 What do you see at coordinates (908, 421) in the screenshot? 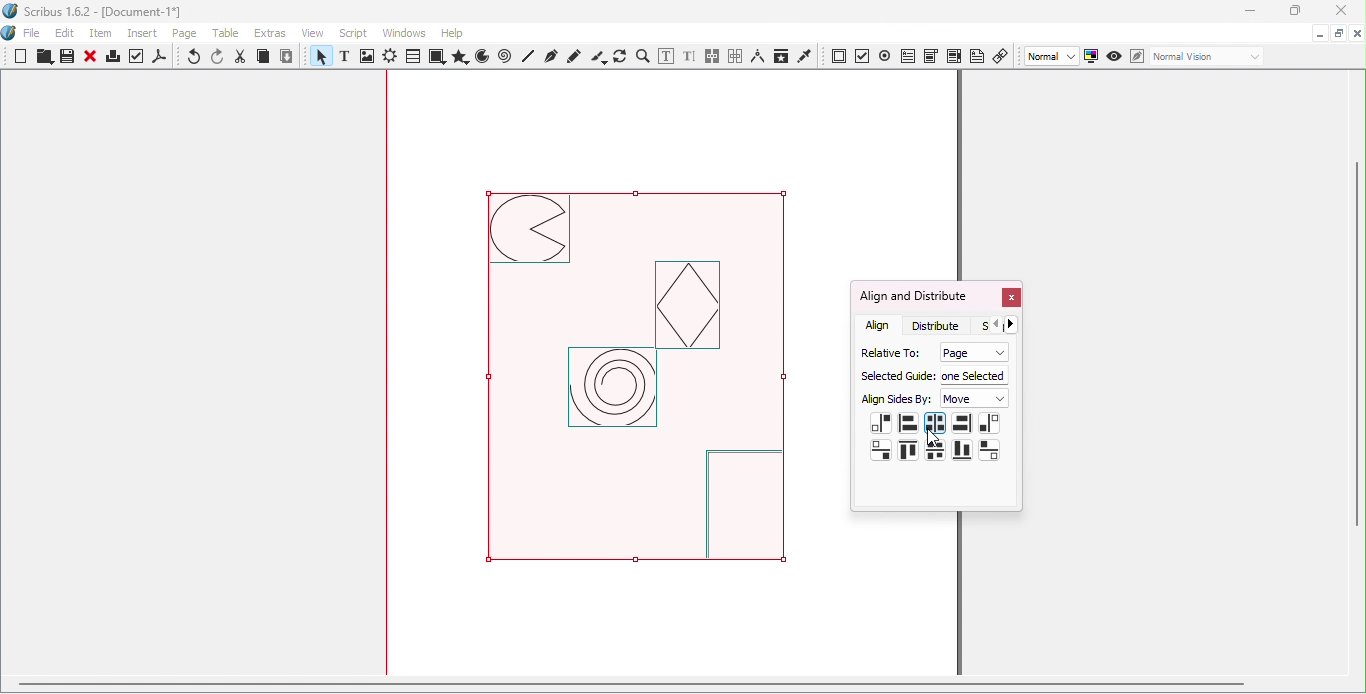
I see `Align left sides` at bounding box center [908, 421].